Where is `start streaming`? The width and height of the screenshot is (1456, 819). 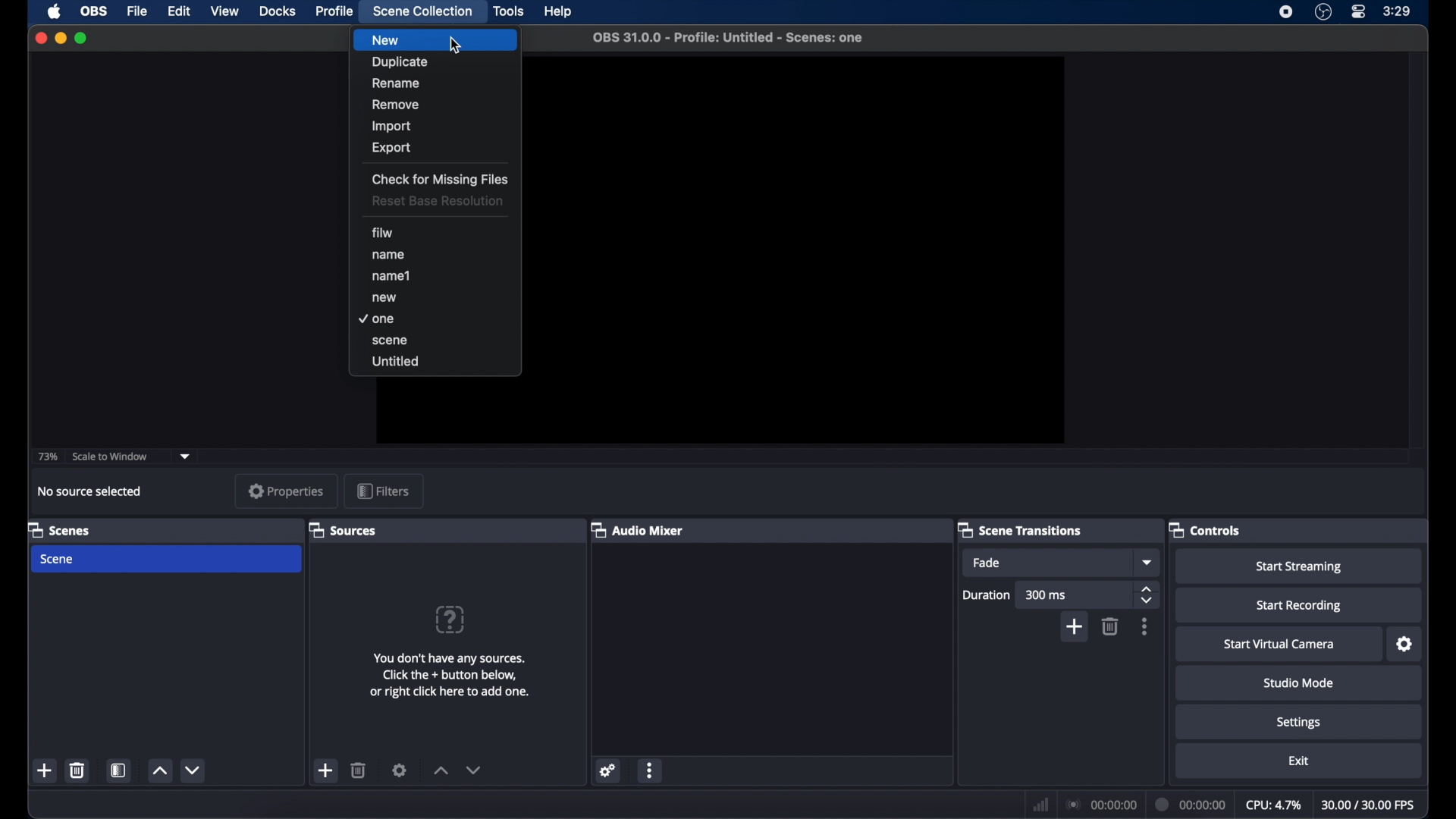
start streaming is located at coordinates (1298, 567).